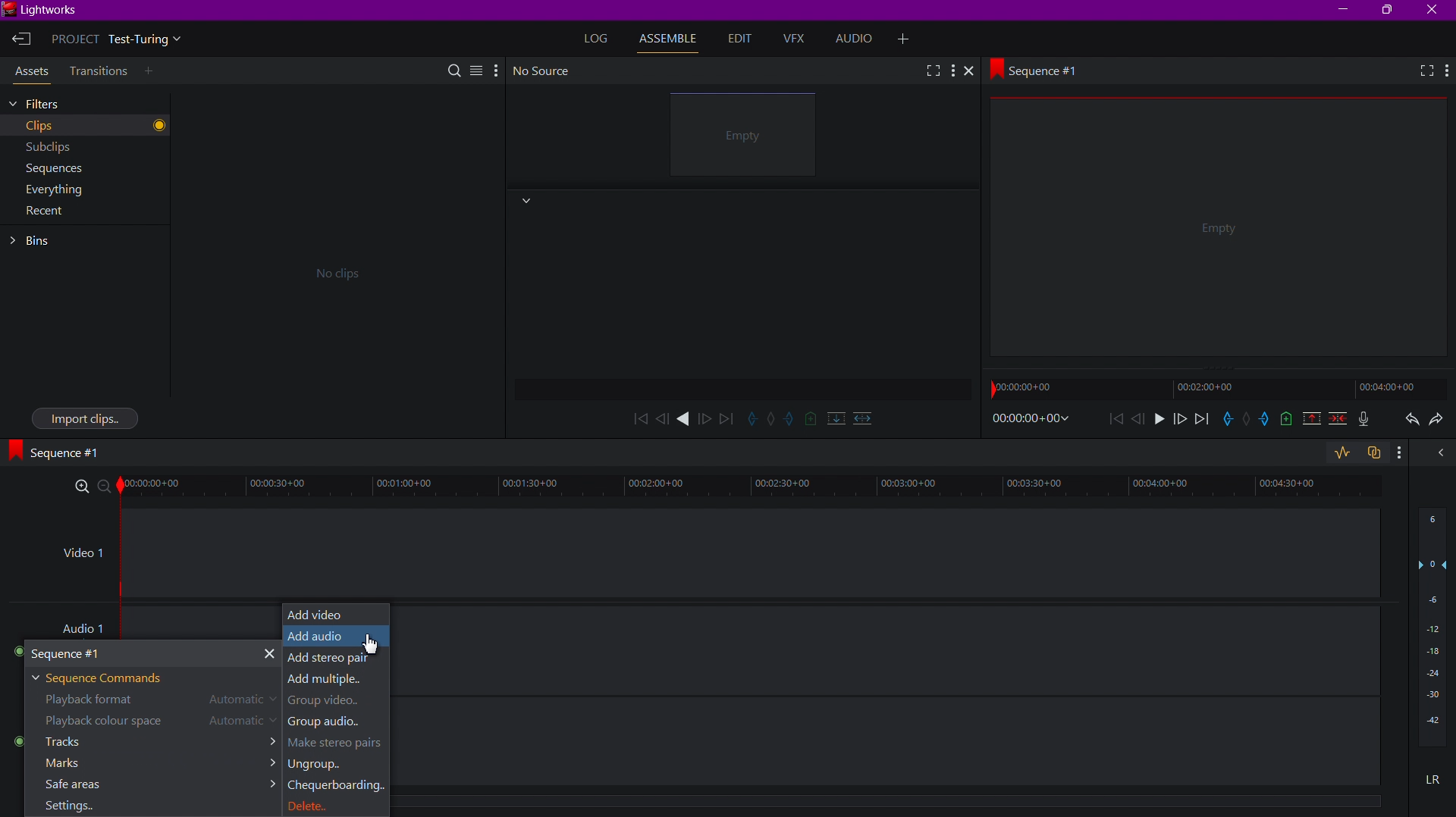 This screenshot has height=817, width=1456. Describe the element at coordinates (70, 806) in the screenshot. I see `Settings` at that location.